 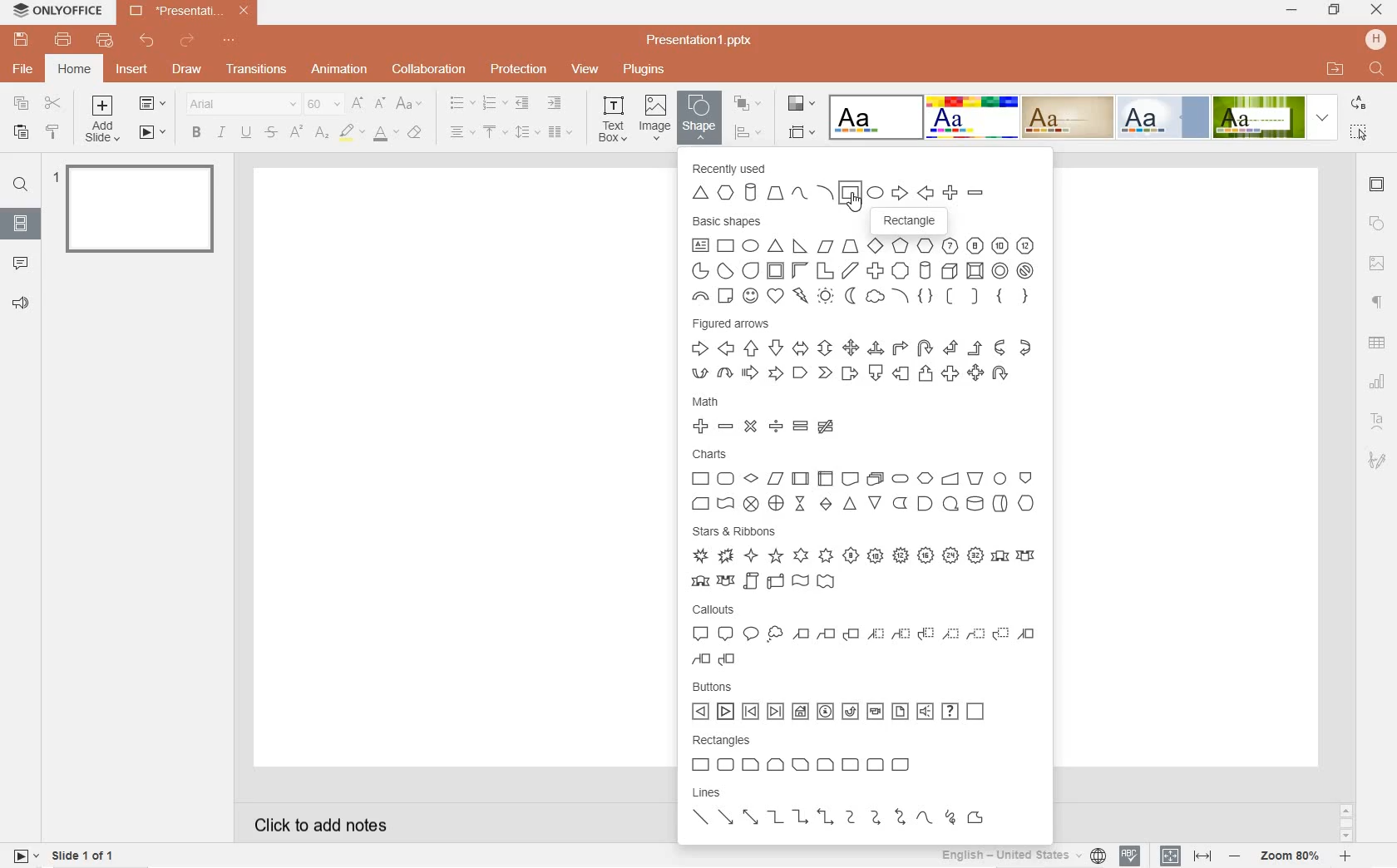 I want to click on Display, so click(x=1026, y=504).